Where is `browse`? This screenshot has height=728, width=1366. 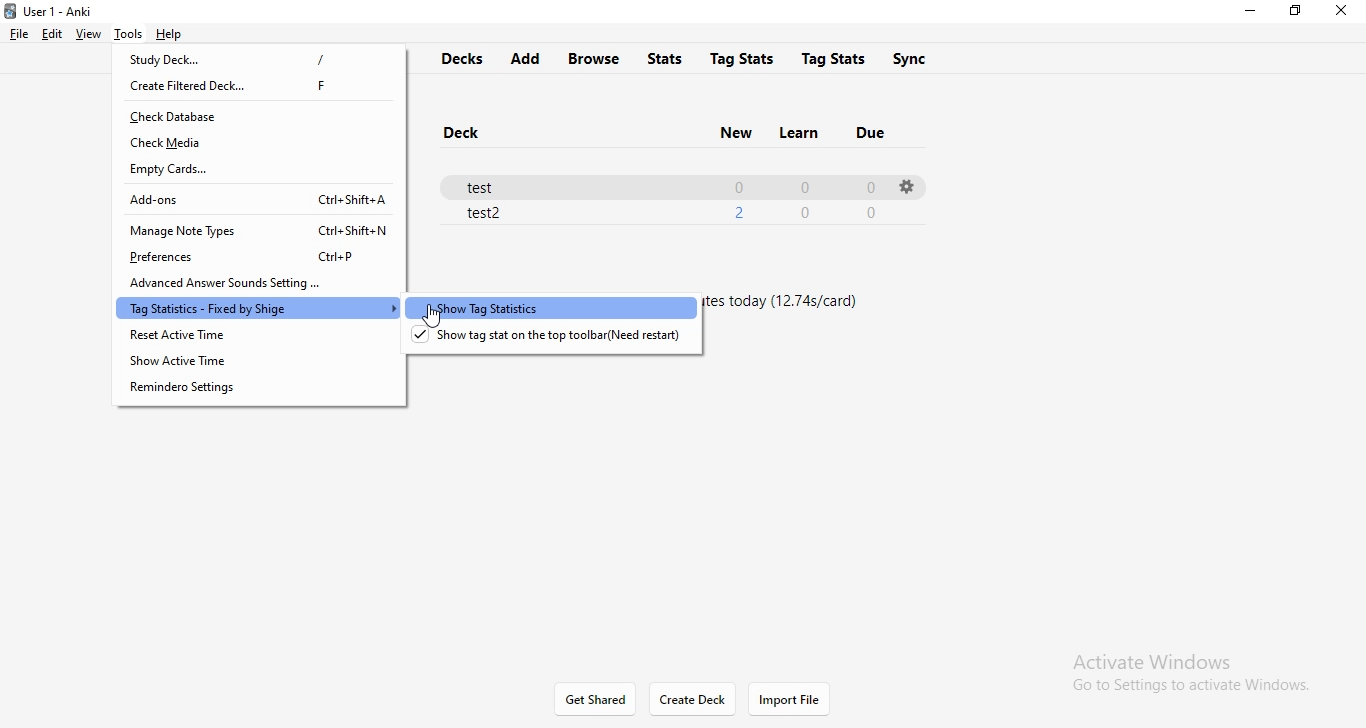 browse is located at coordinates (597, 57).